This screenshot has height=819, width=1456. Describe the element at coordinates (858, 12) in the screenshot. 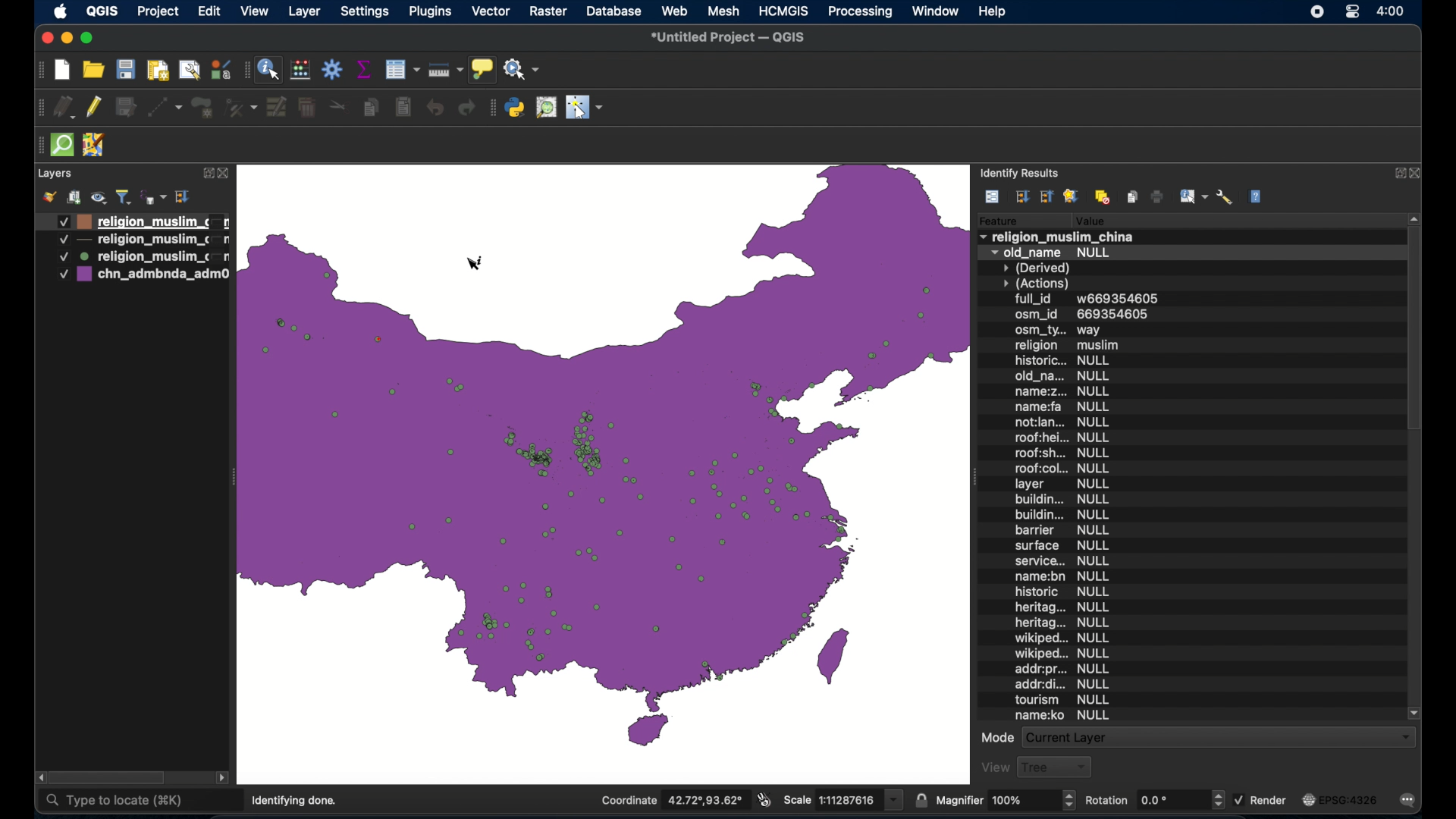

I see `processing` at that location.